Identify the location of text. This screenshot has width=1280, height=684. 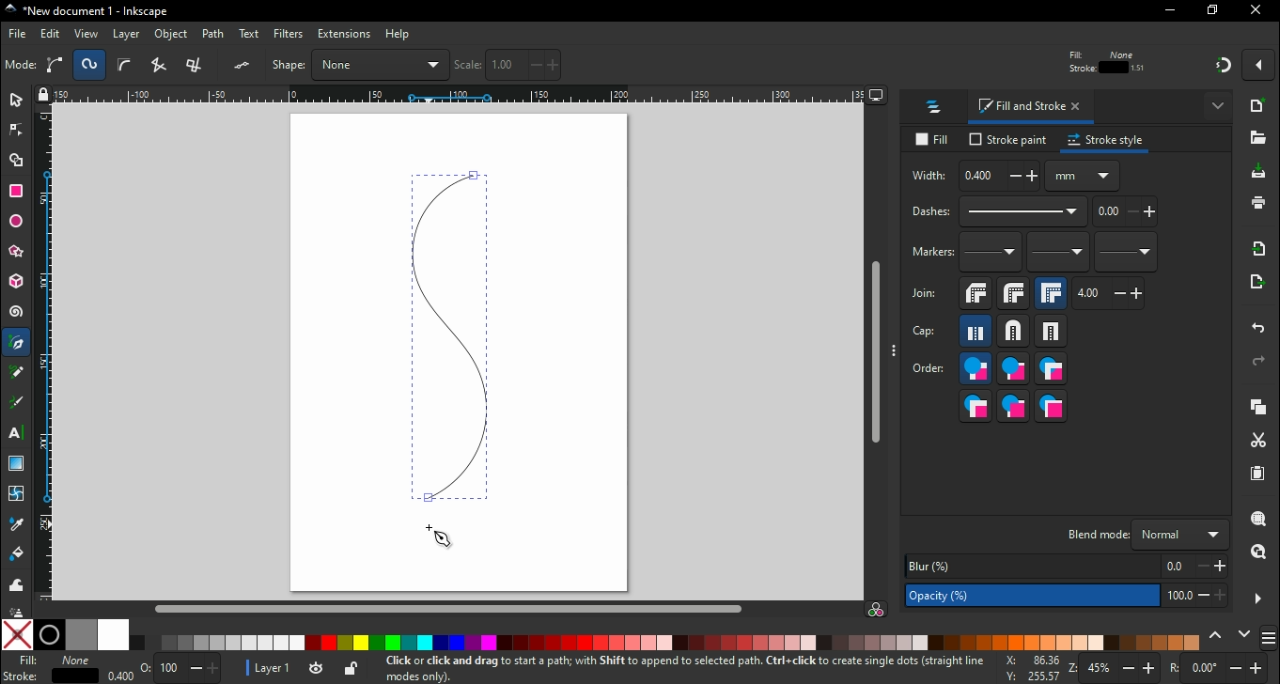
(250, 33).